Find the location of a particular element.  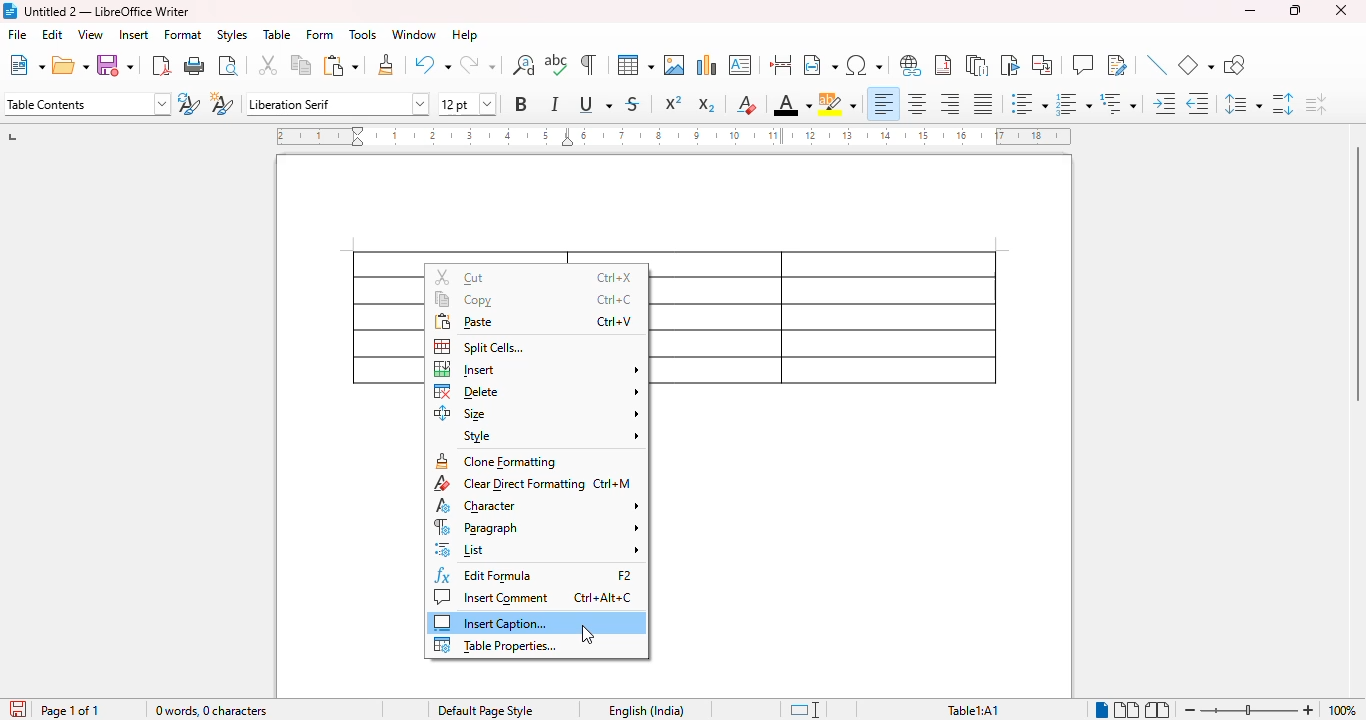

clone formatting is located at coordinates (498, 460).